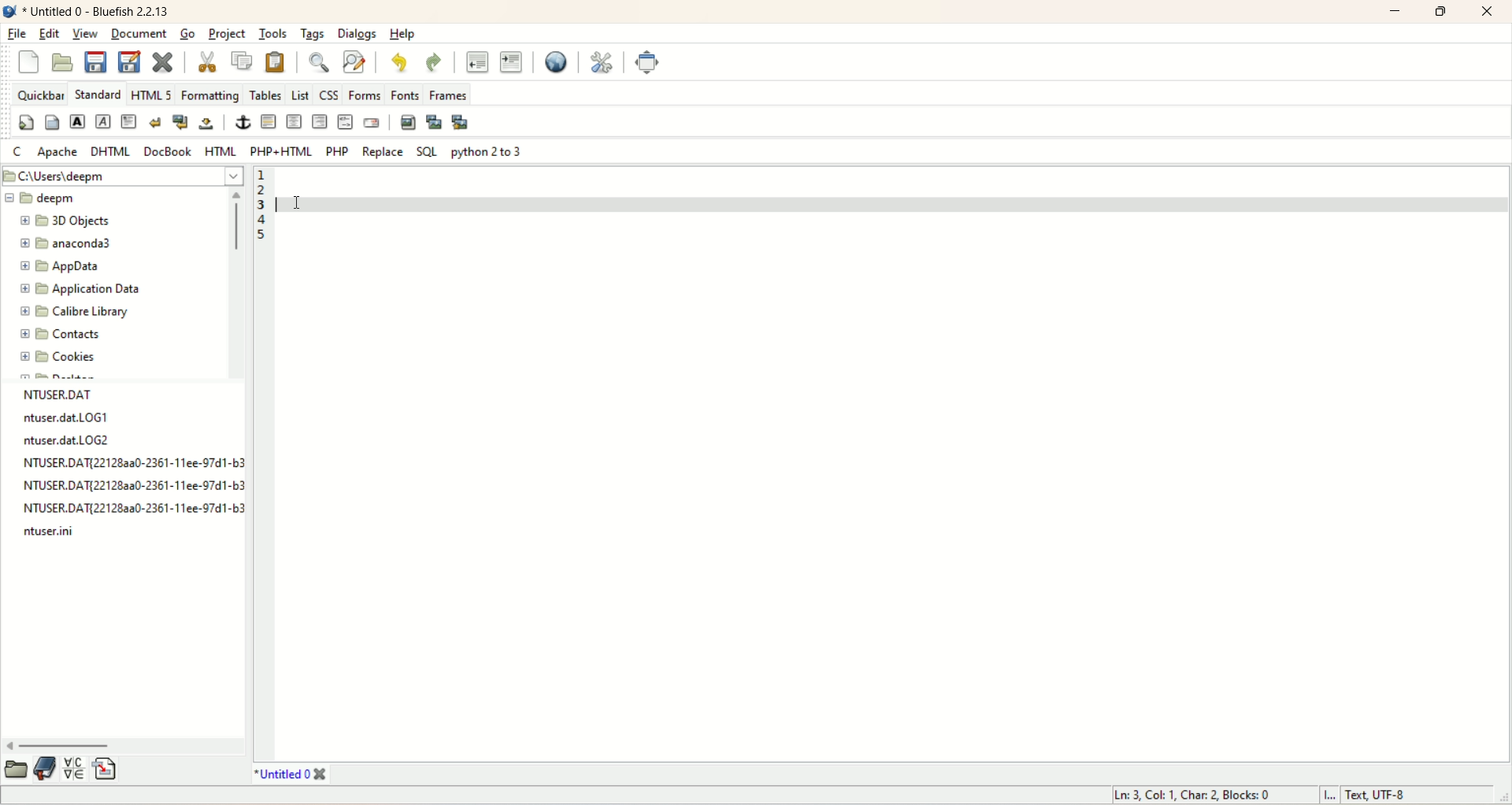 The image size is (1512, 805). Describe the element at coordinates (69, 243) in the screenshot. I see `anaconda` at that location.